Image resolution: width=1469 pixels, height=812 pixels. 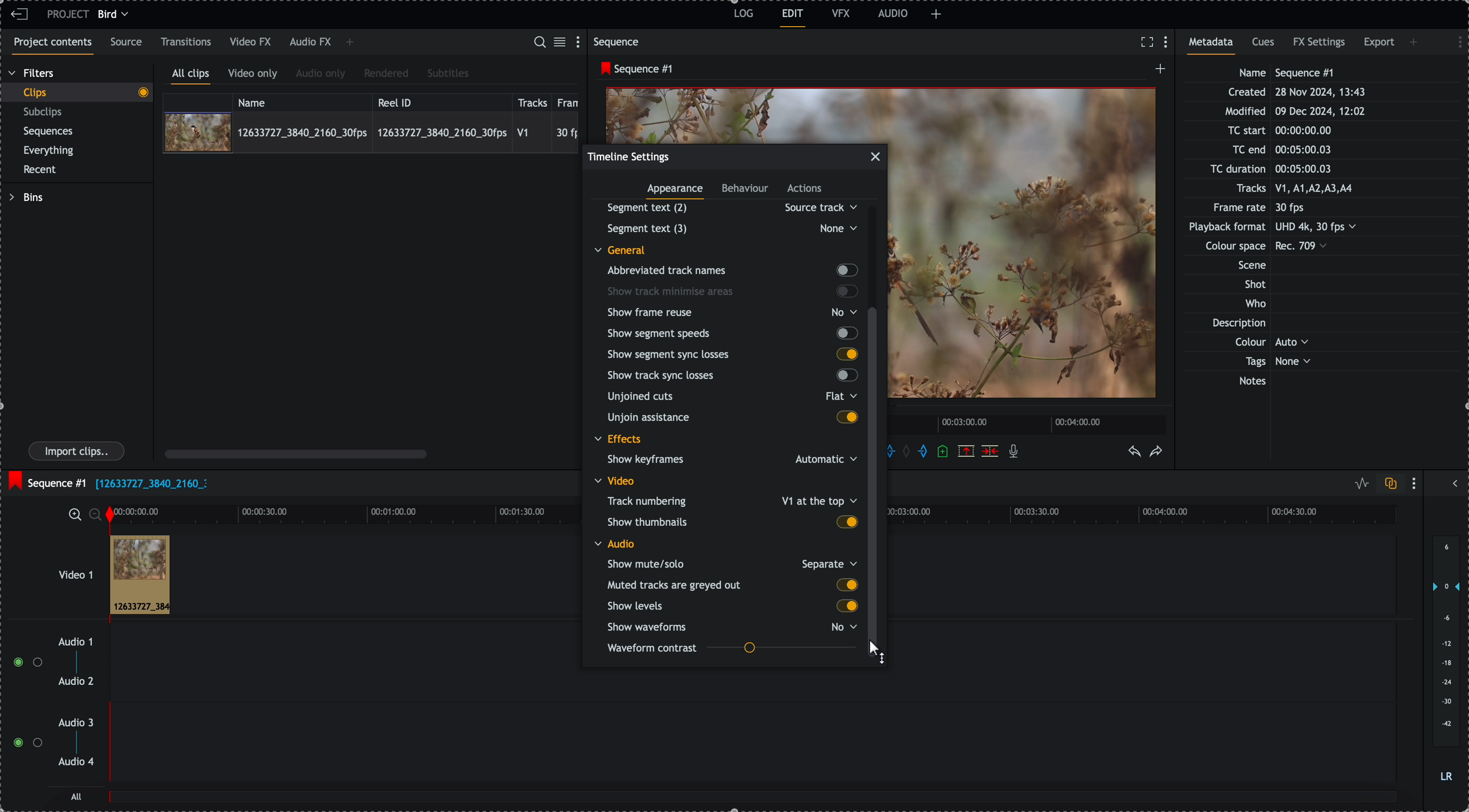 What do you see at coordinates (1417, 483) in the screenshot?
I see `show settings menu` at bounding box center [1417, 483].